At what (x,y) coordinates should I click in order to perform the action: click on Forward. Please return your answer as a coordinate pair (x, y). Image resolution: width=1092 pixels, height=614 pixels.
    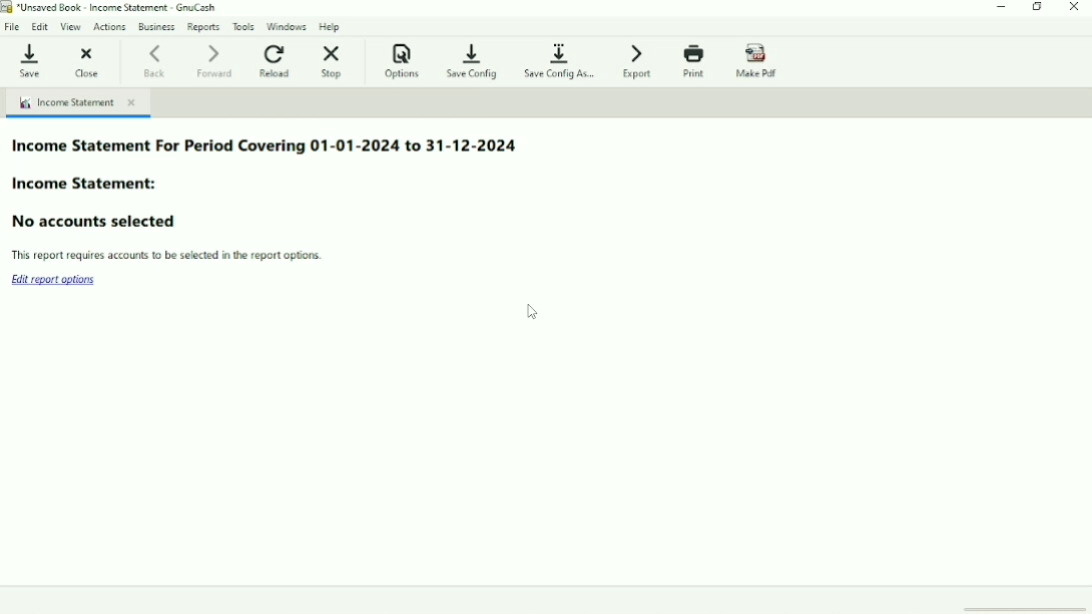
    Looking at the image, I should click on (218, 61).